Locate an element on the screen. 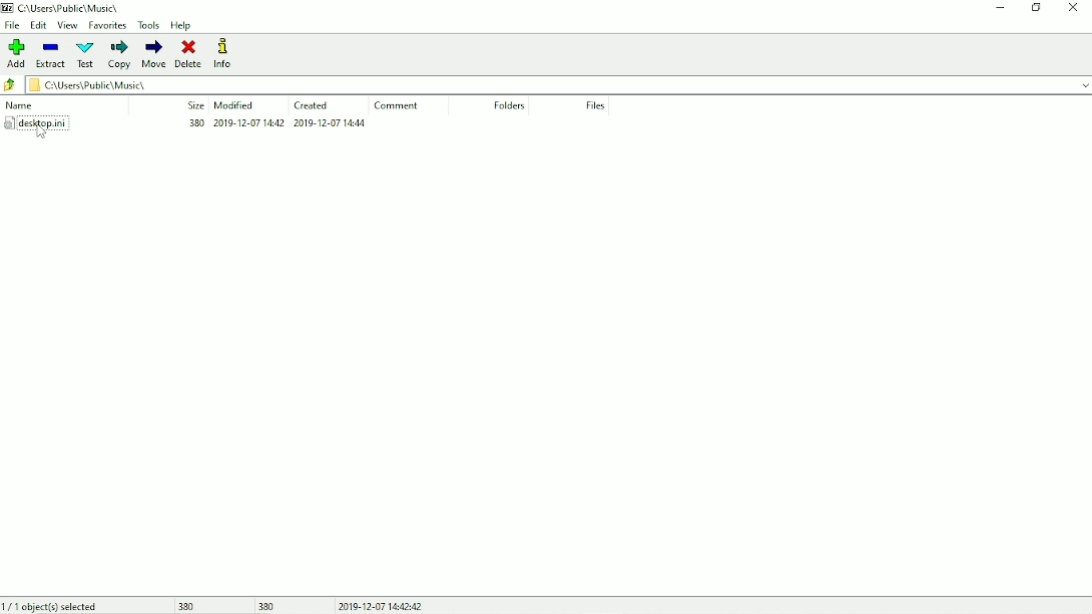  View is located at coordinates (67, 25).